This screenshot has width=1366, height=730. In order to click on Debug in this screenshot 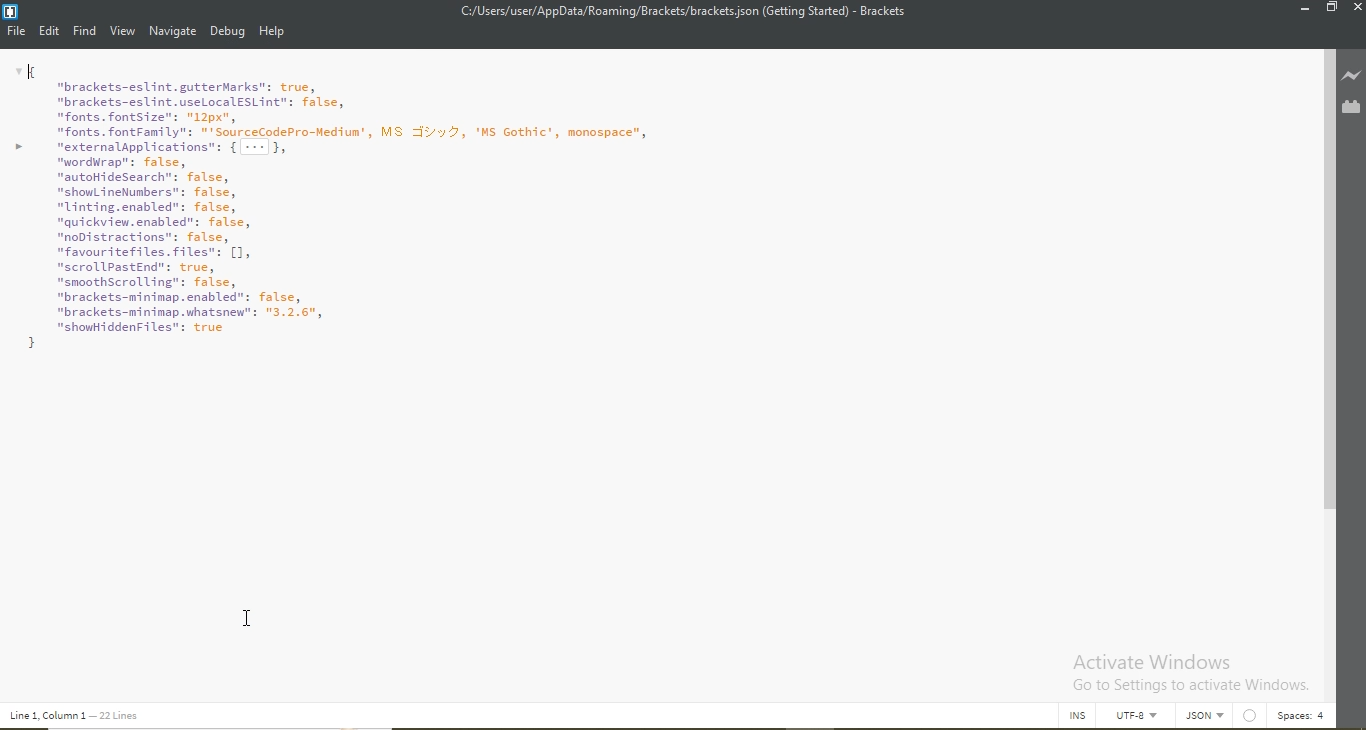, I will do `click(229, 33)`.